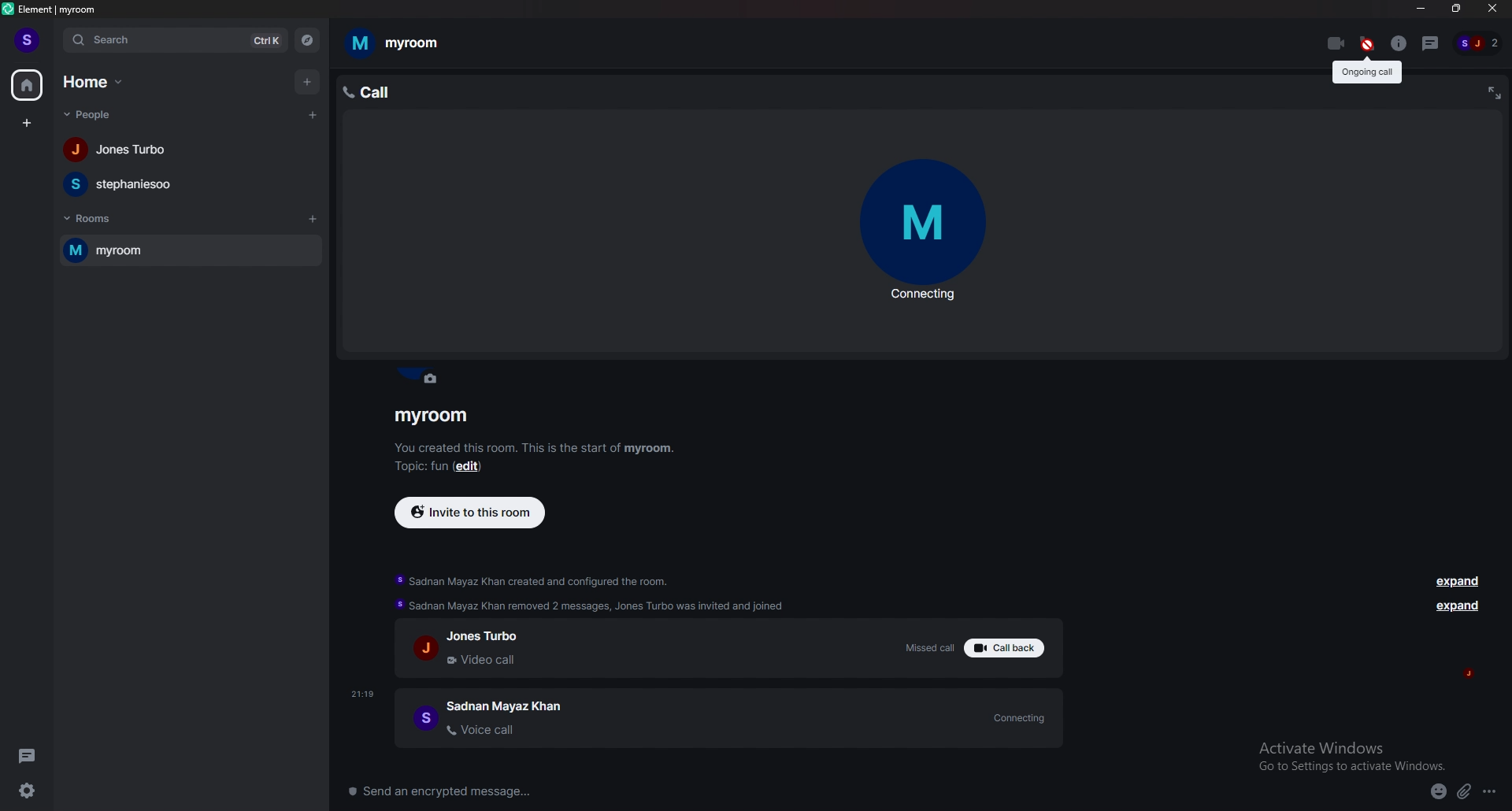  I want to click on j, so click(1476, 673).